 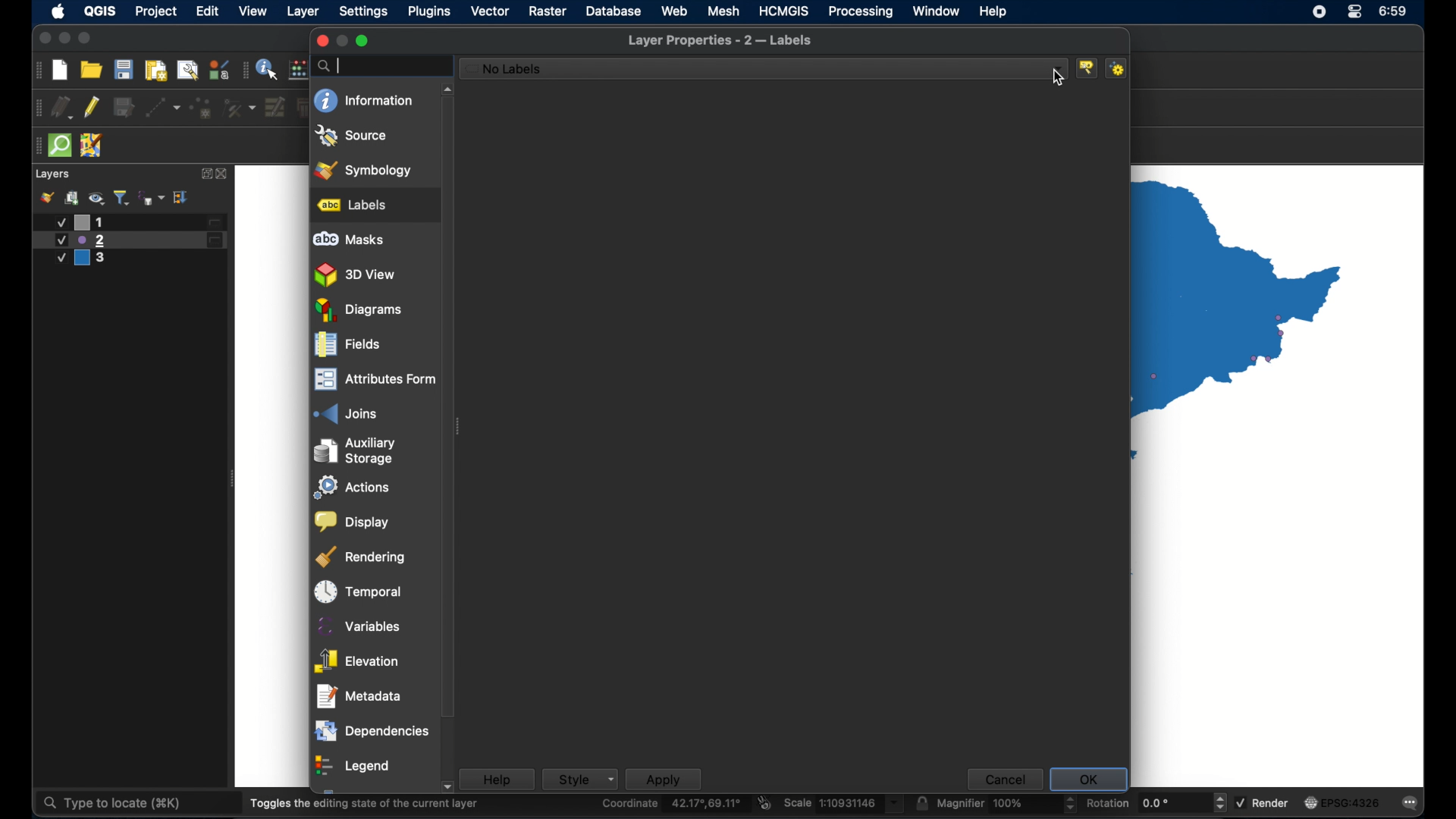 I want to click on configure project labelling tools, so click(x=1088, y=67).